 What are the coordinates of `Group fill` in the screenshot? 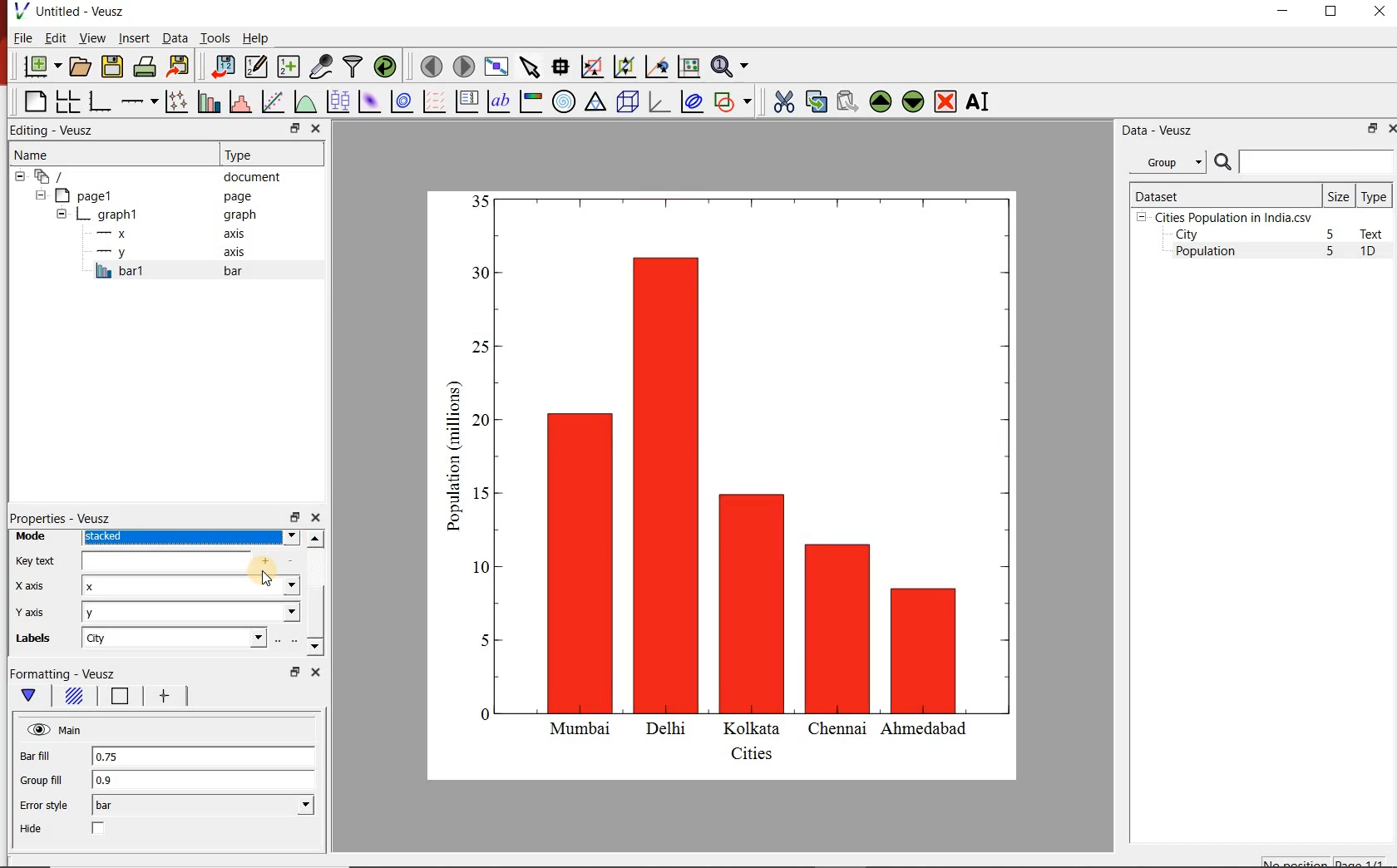 It's located at (48, 780).